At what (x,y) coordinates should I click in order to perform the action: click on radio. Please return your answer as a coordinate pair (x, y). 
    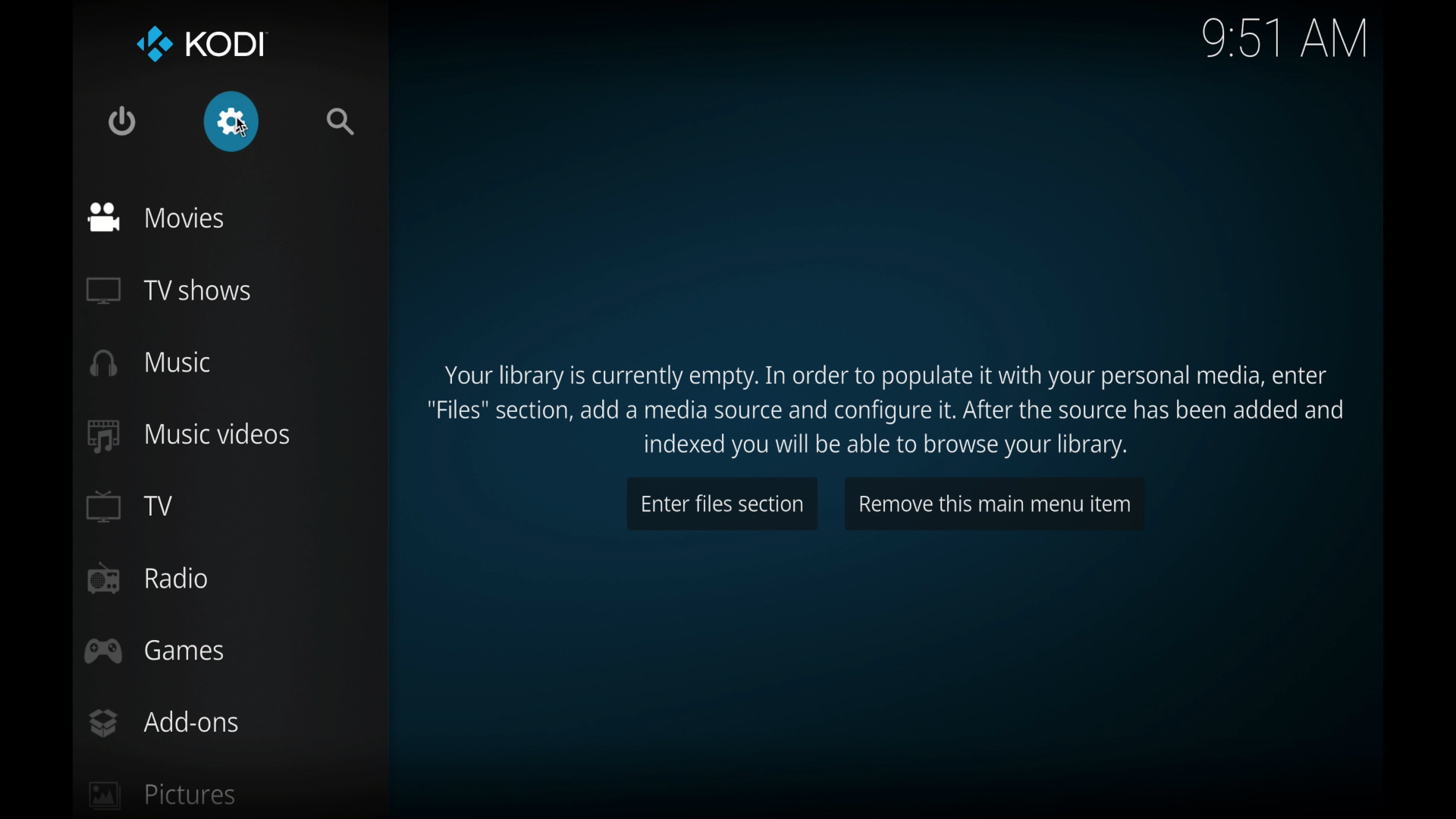
    Looking at the image, I should click on (149, 579).